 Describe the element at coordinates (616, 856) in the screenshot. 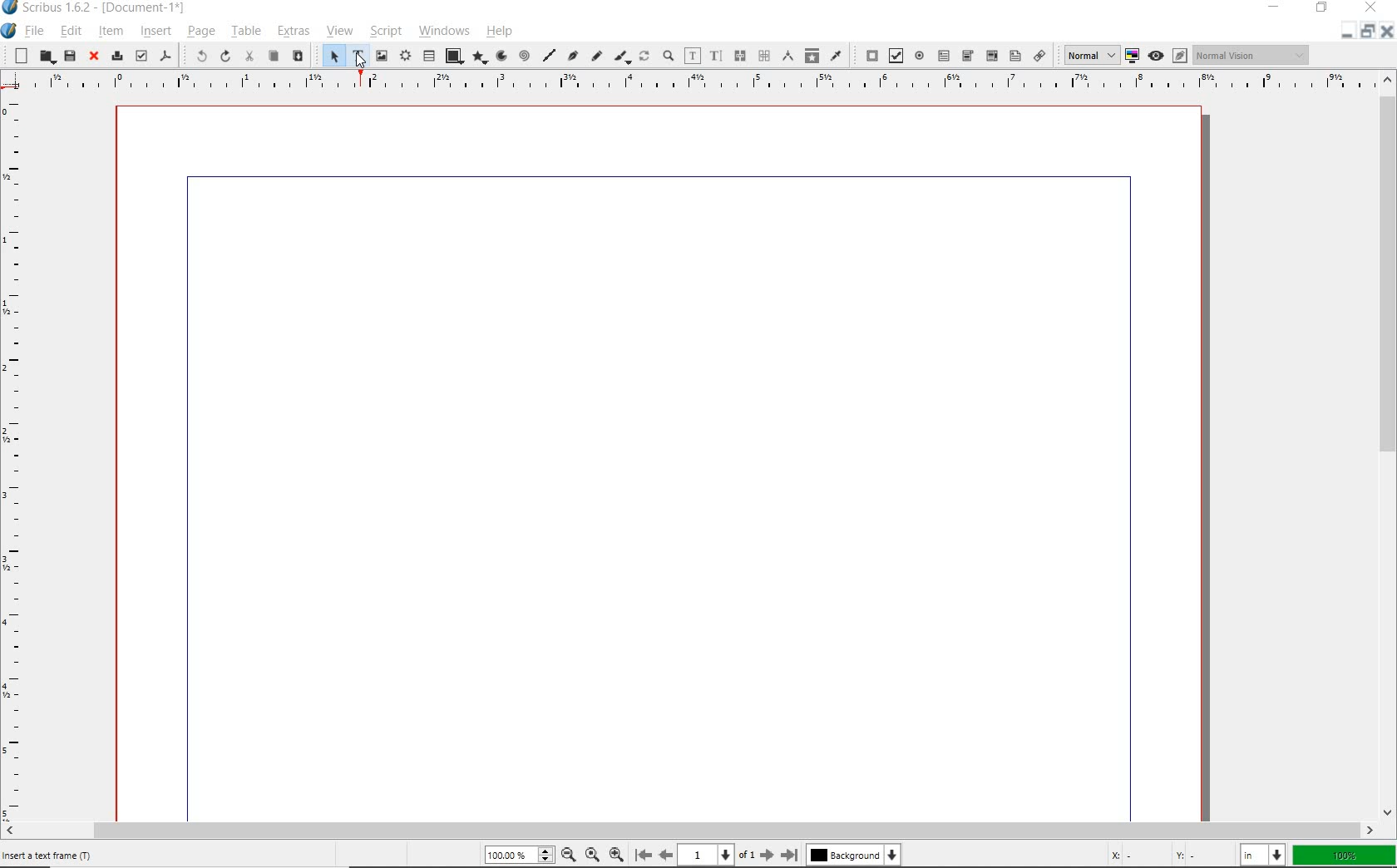

I see `Zoom In` at that location.